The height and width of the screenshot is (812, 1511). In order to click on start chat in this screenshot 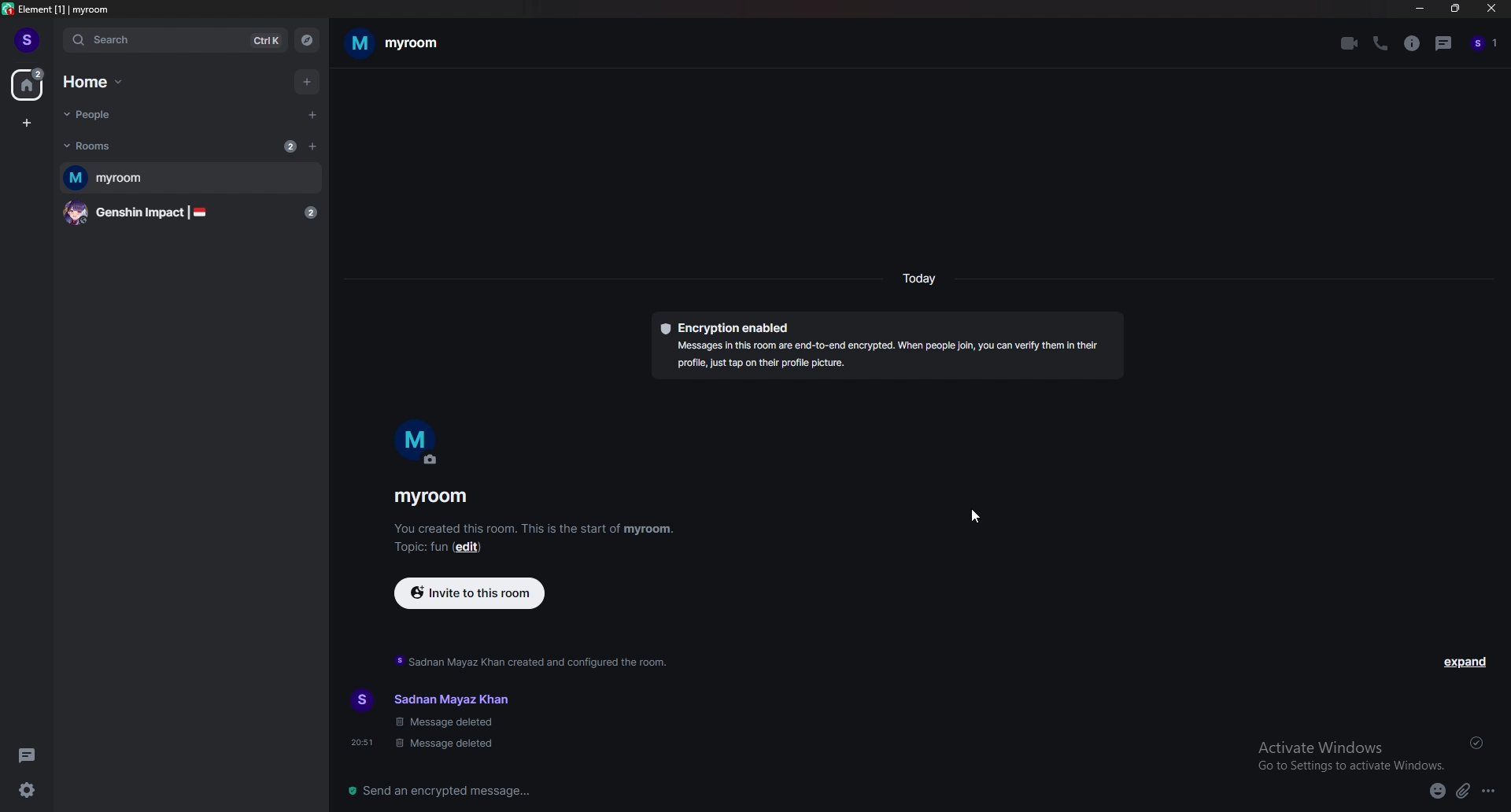, I will do `click(311, 115)`.